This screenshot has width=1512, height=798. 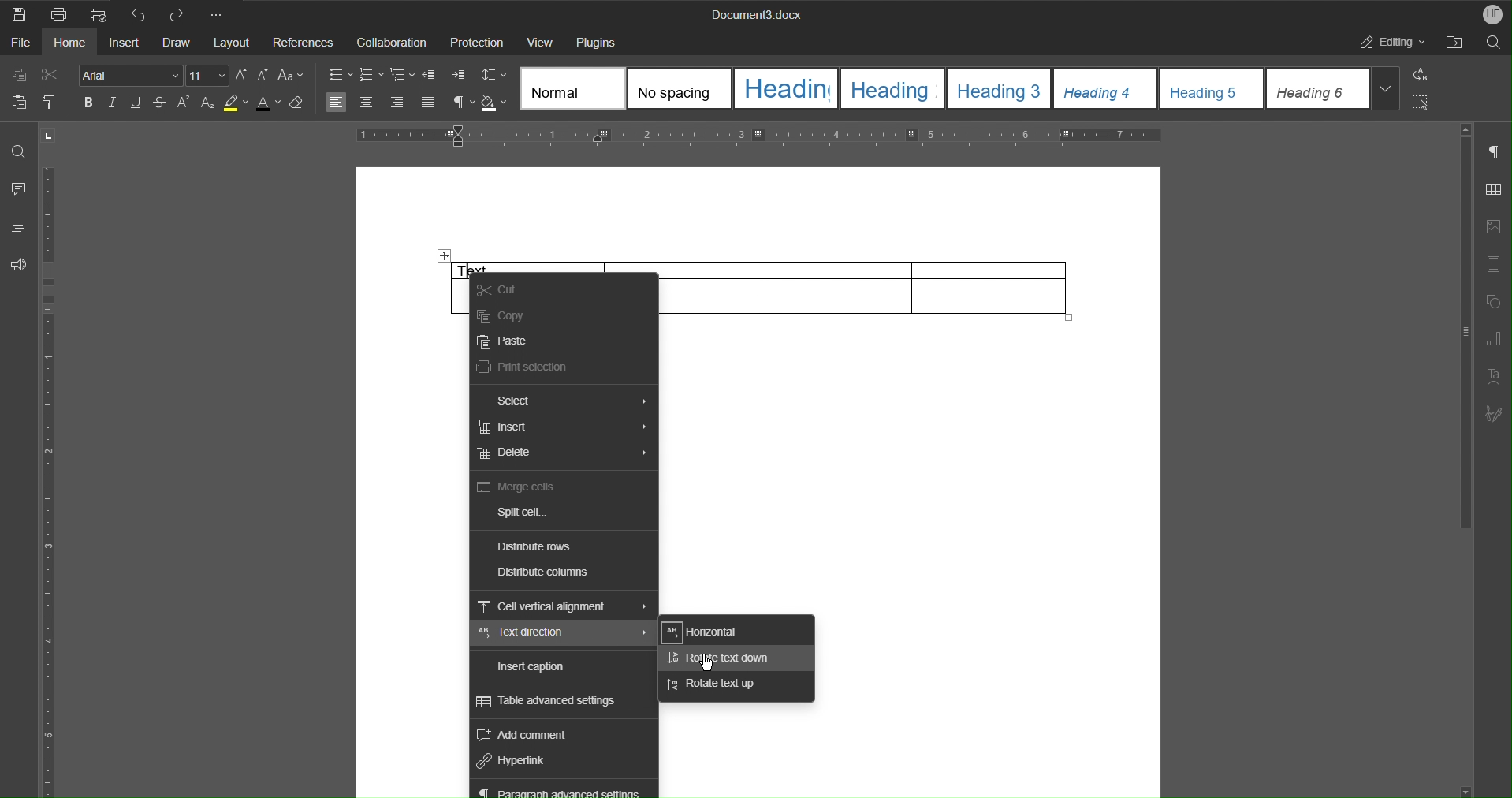 I want to click on Distribute columns, so click(x=544, y=573).